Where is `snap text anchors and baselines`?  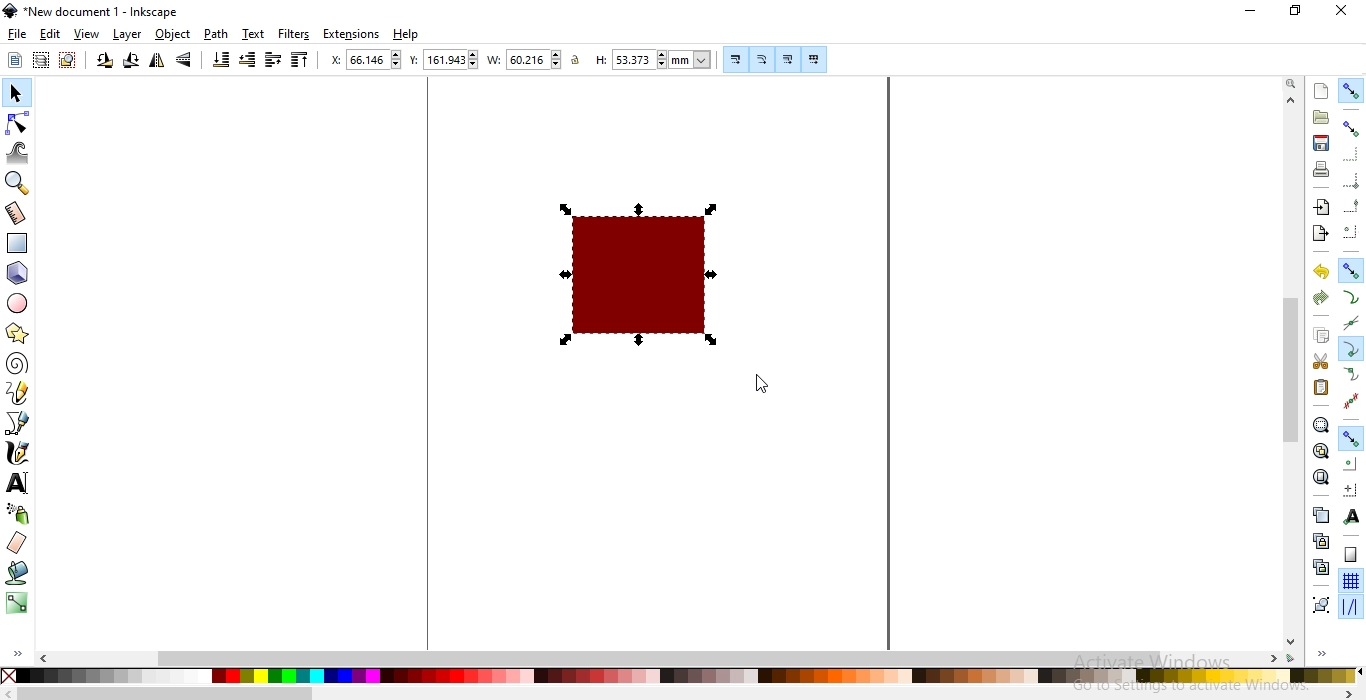 snap text anchors and baselines is located at coordinates (1349, 515).